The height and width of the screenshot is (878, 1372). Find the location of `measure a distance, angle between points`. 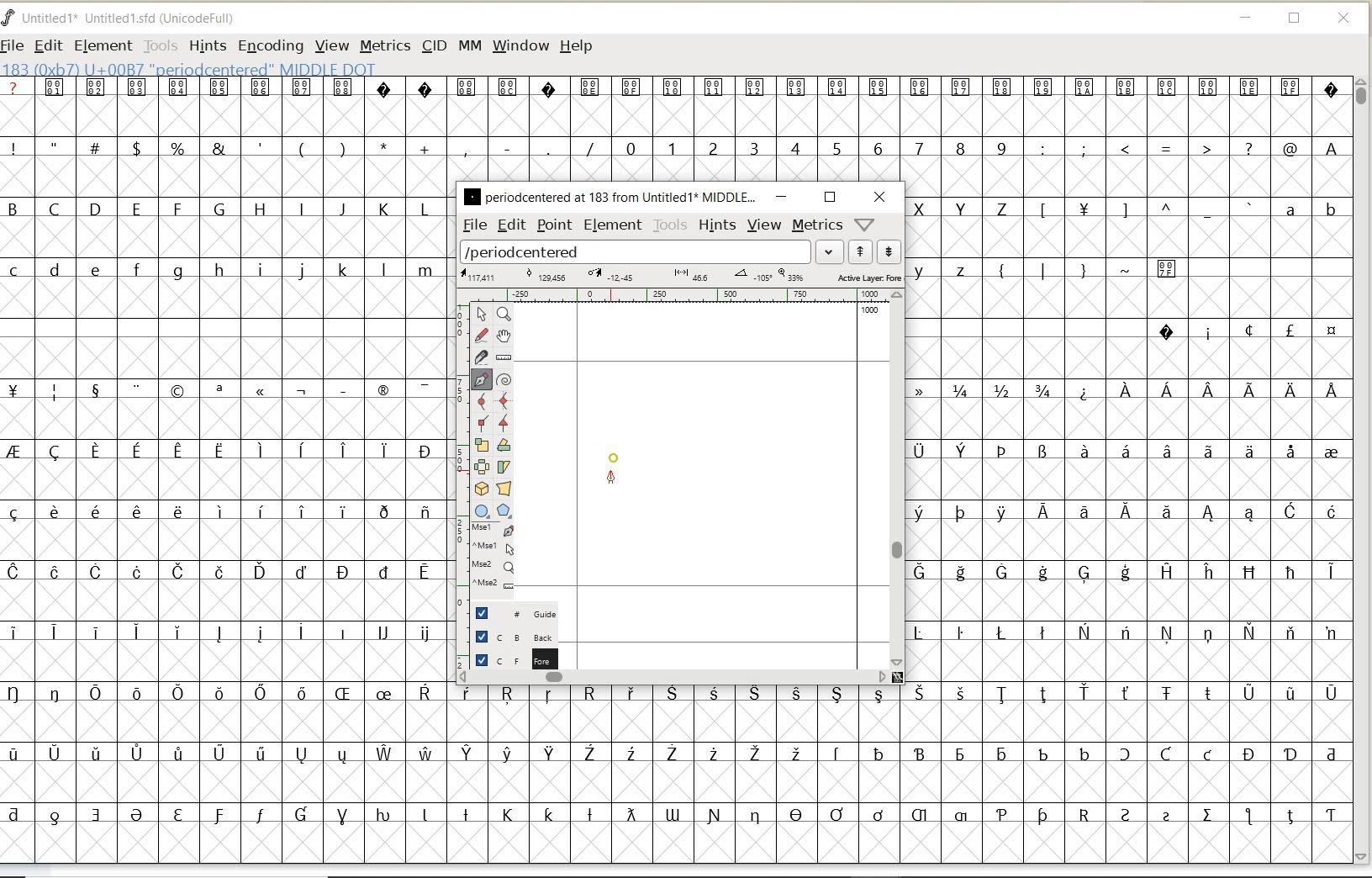

measure a distance, angle between points is located at coordinates (504, 357).